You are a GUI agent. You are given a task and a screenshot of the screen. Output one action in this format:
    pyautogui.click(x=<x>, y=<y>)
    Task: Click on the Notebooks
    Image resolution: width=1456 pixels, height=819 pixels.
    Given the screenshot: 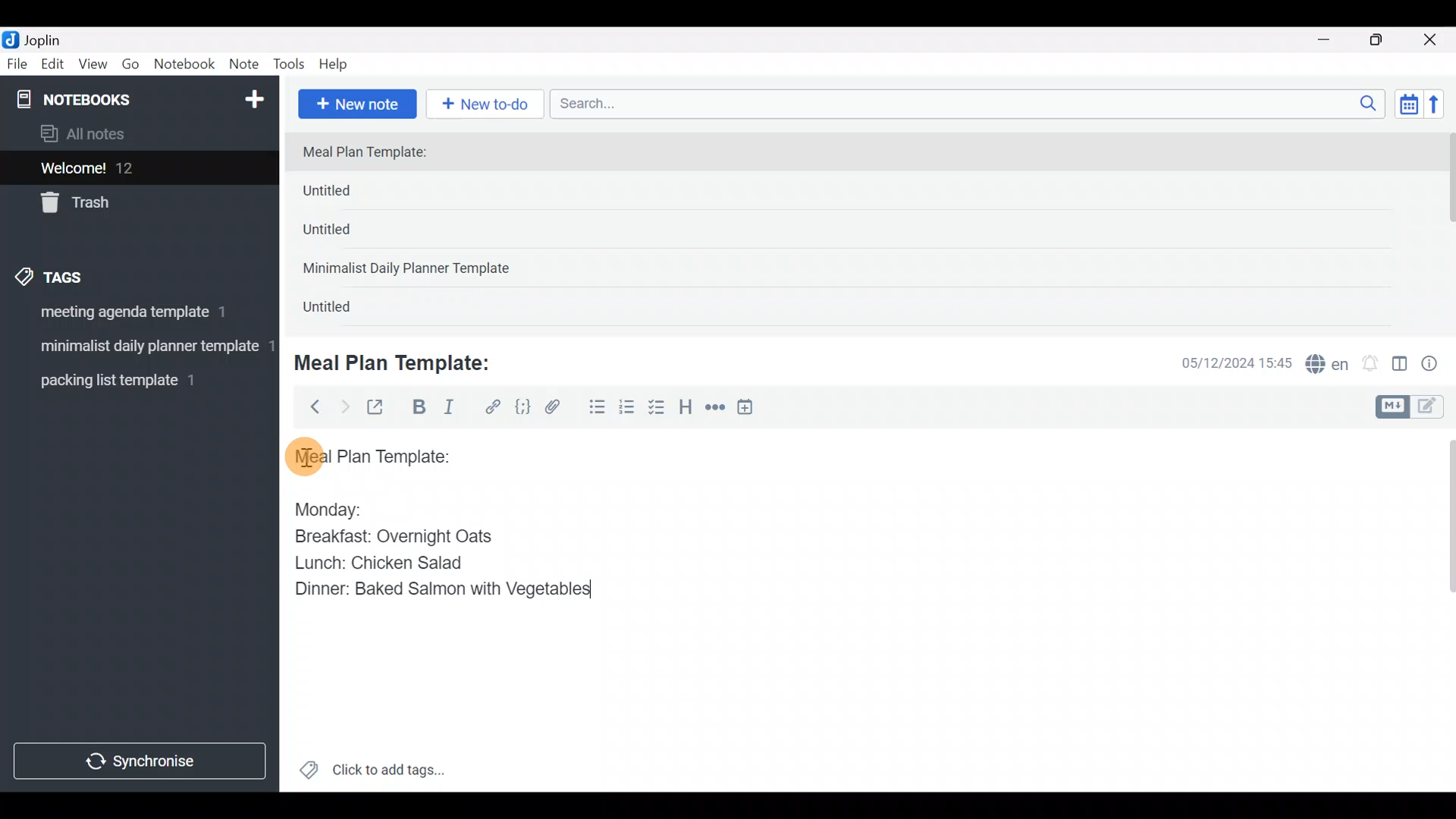 What is the action you would take?
    pyautogui.click(x=107, y=99)
    